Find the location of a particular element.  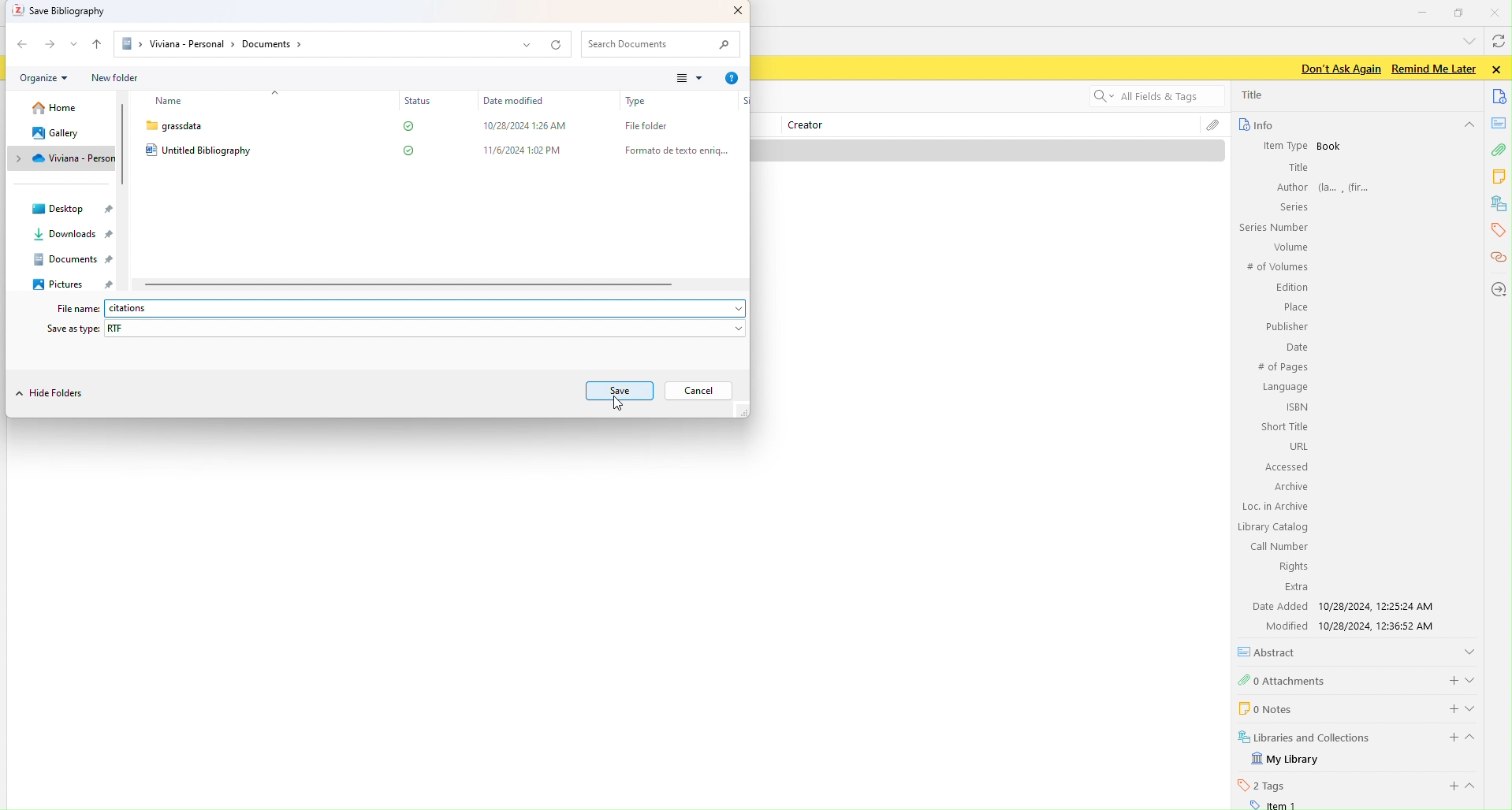

File folder is located at coordinates (640, 124).